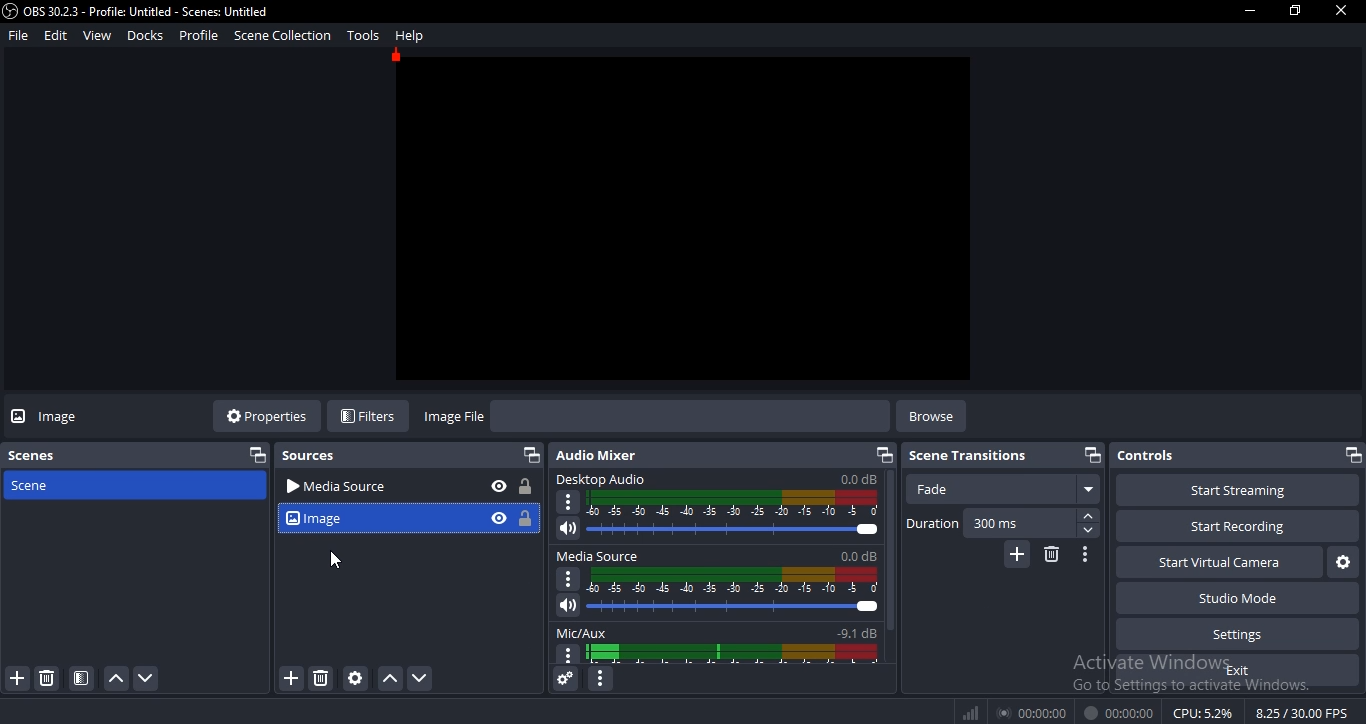 The image size is (1366, 724). Describe the element at coordinates (930, 416) in the screenshot. I see `browse` at that location.